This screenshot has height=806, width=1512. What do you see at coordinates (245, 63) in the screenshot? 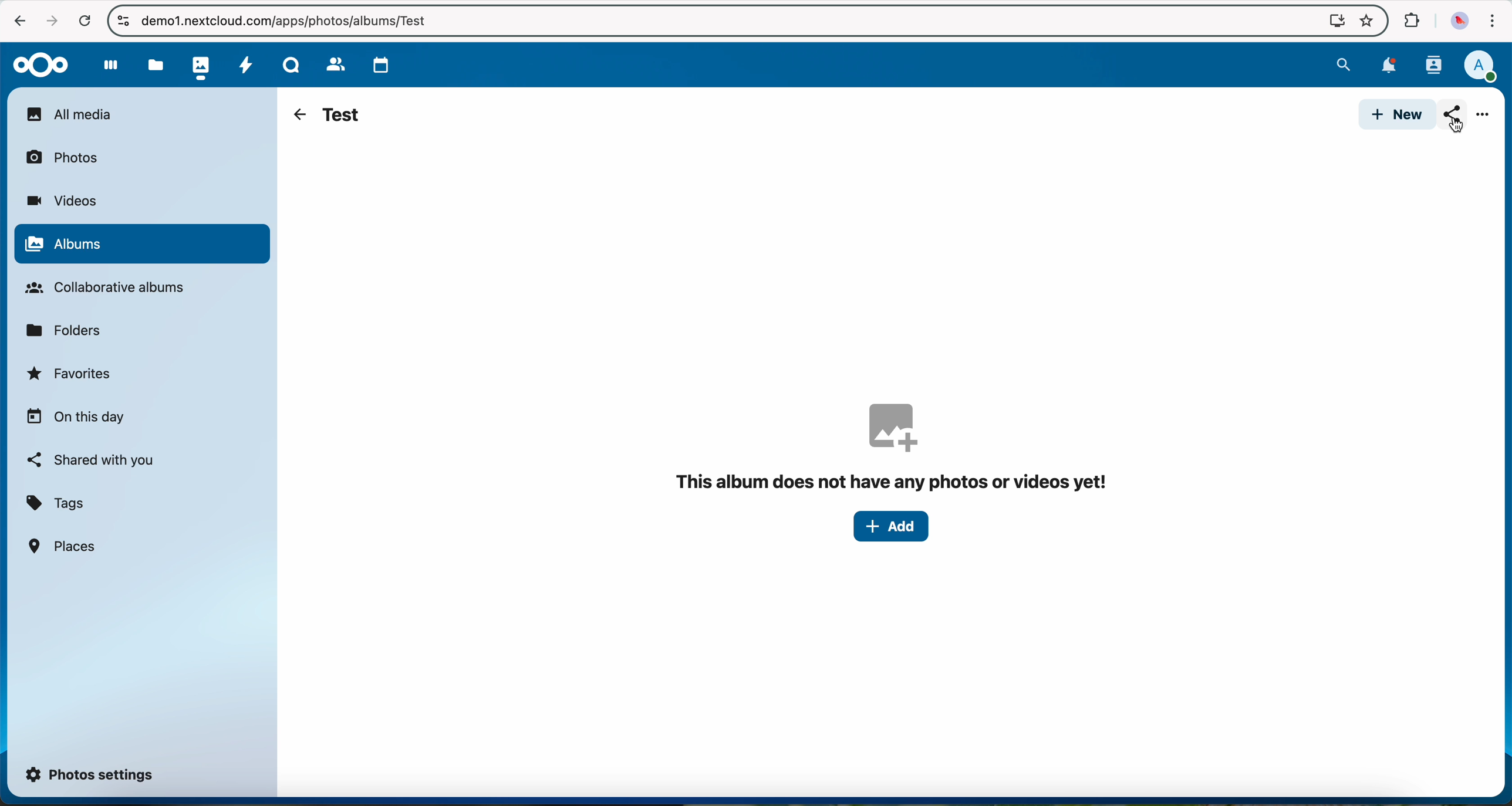
I see `activity` at bounding box center [245, 63].